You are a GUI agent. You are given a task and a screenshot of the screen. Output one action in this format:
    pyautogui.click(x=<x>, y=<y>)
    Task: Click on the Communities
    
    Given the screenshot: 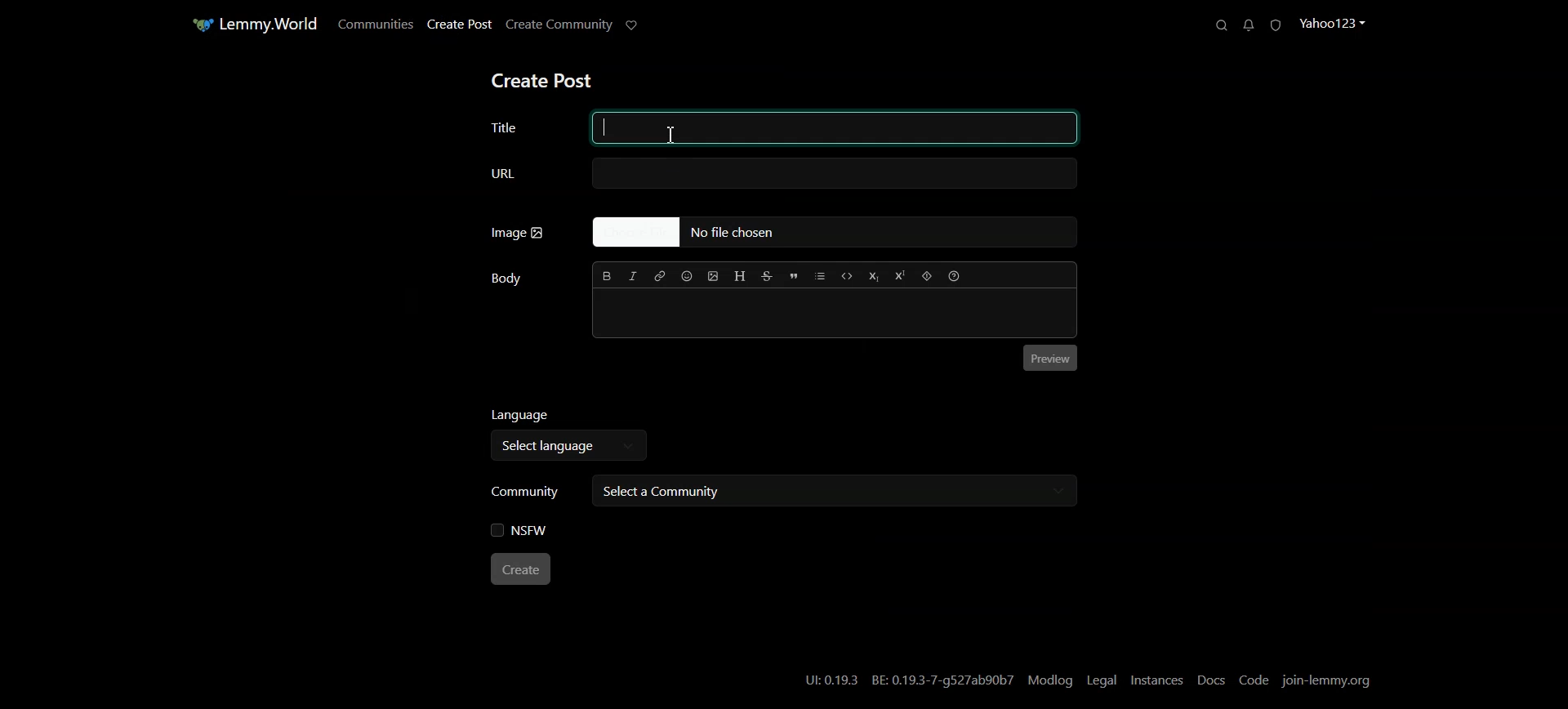 What is the action you would take?
    pyautogui.click(x=373, y=24)
    